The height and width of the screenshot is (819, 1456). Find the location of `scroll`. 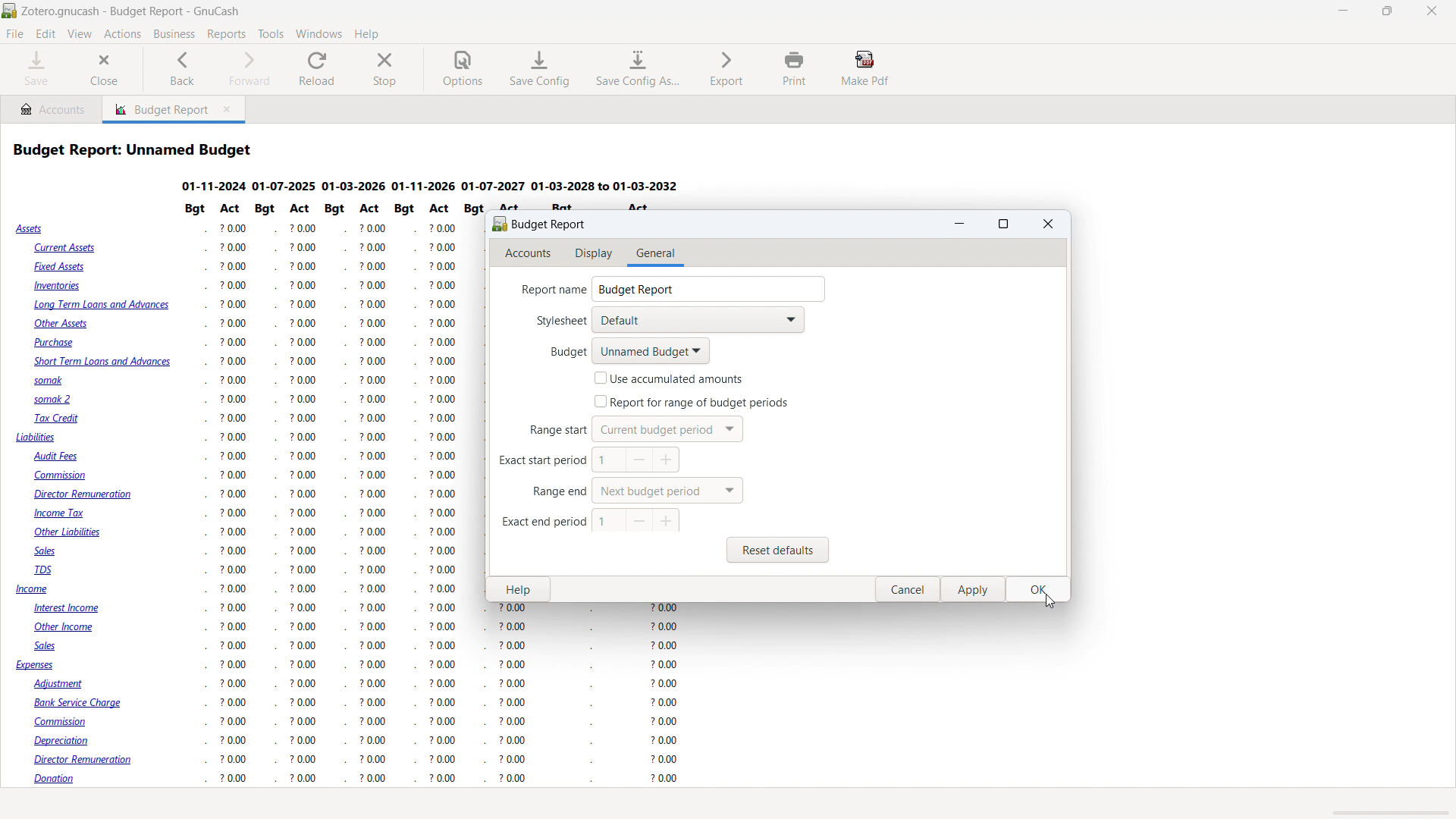

scroll is located at coordinates (1388, 811).